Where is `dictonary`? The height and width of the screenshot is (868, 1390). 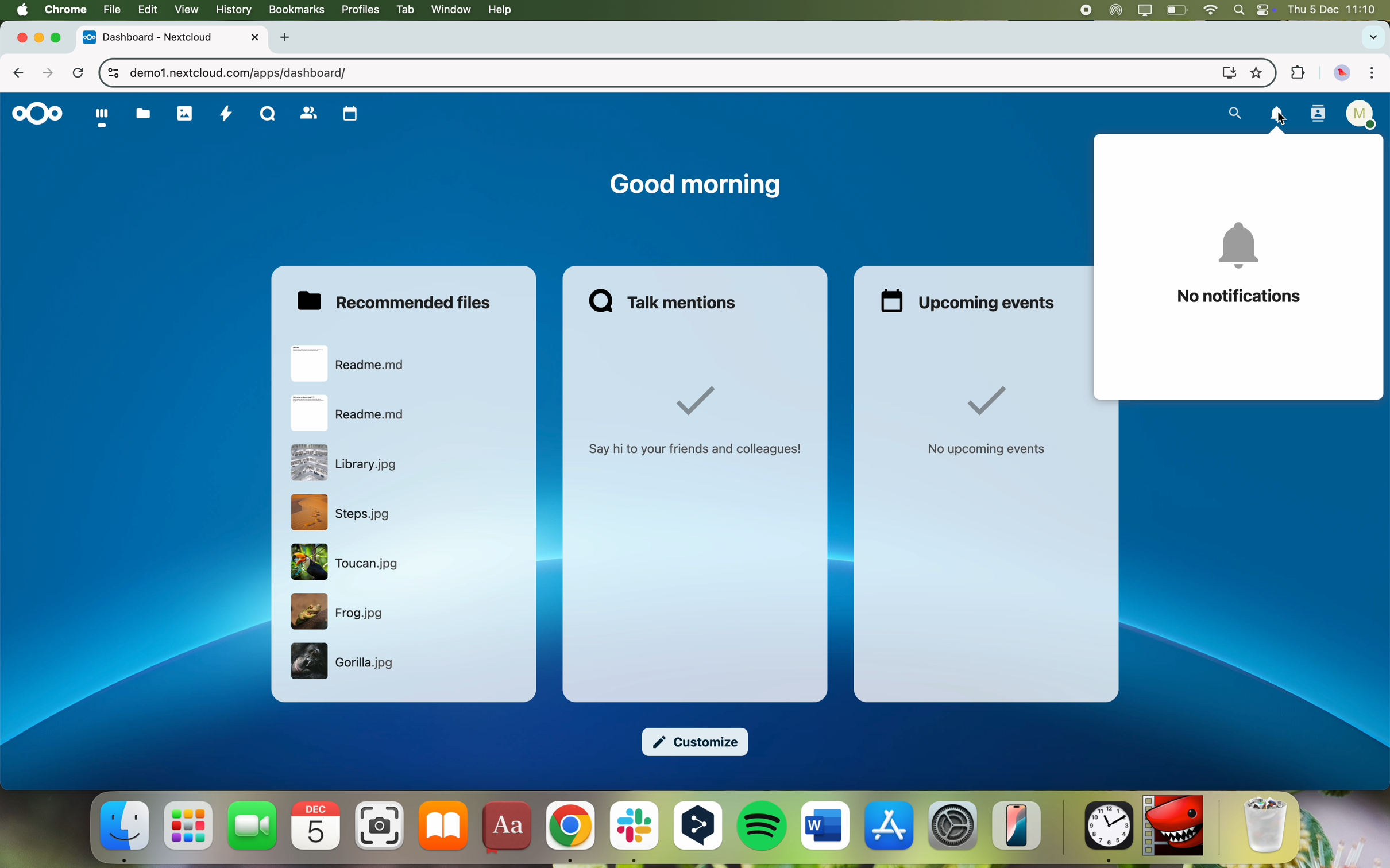
dictonary is located at coordinates (505, 829).